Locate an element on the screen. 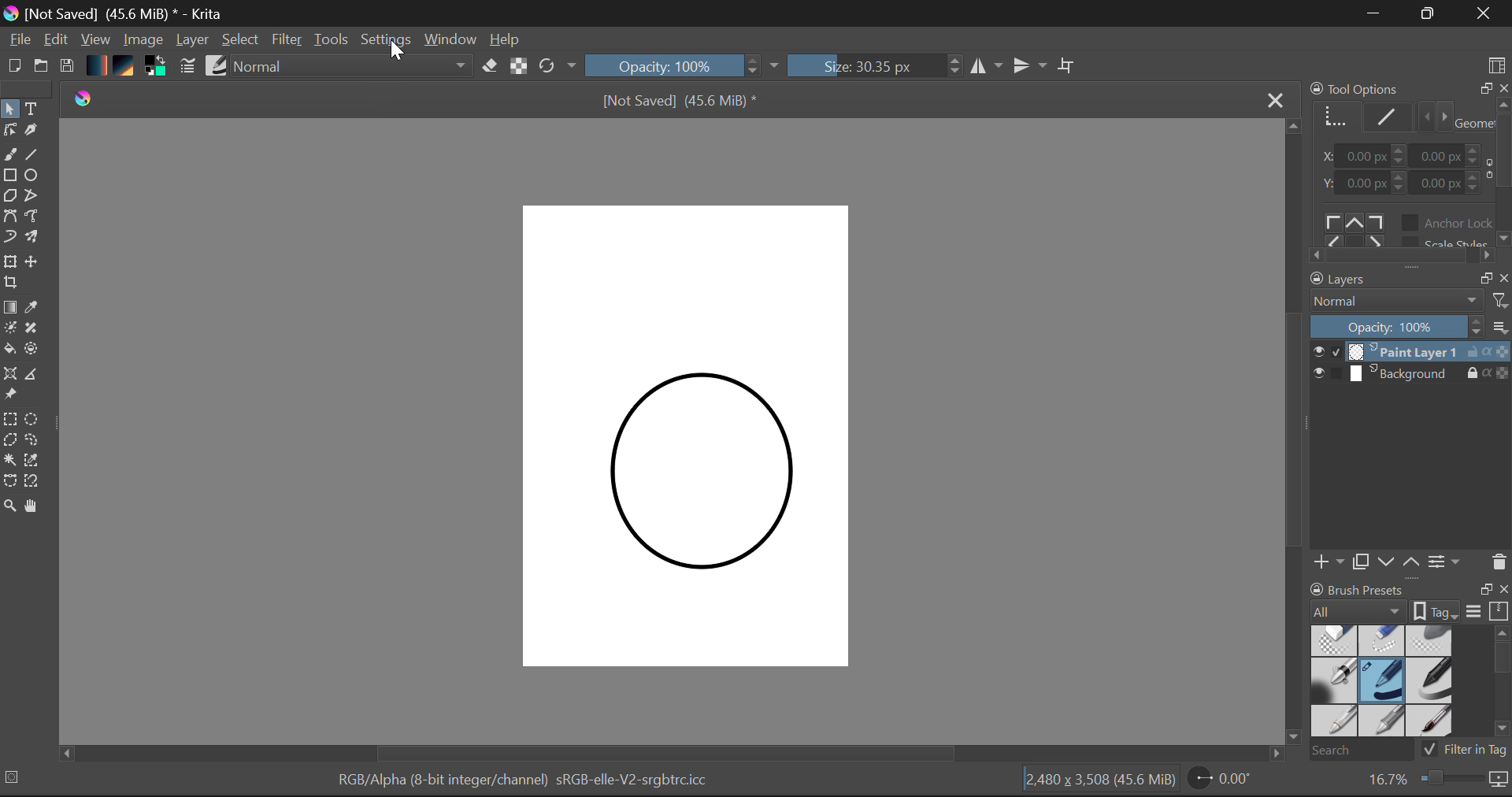 The height and width of the screenshot is (797, 1512). Gradient Fill is located at coordinates (10, 306).